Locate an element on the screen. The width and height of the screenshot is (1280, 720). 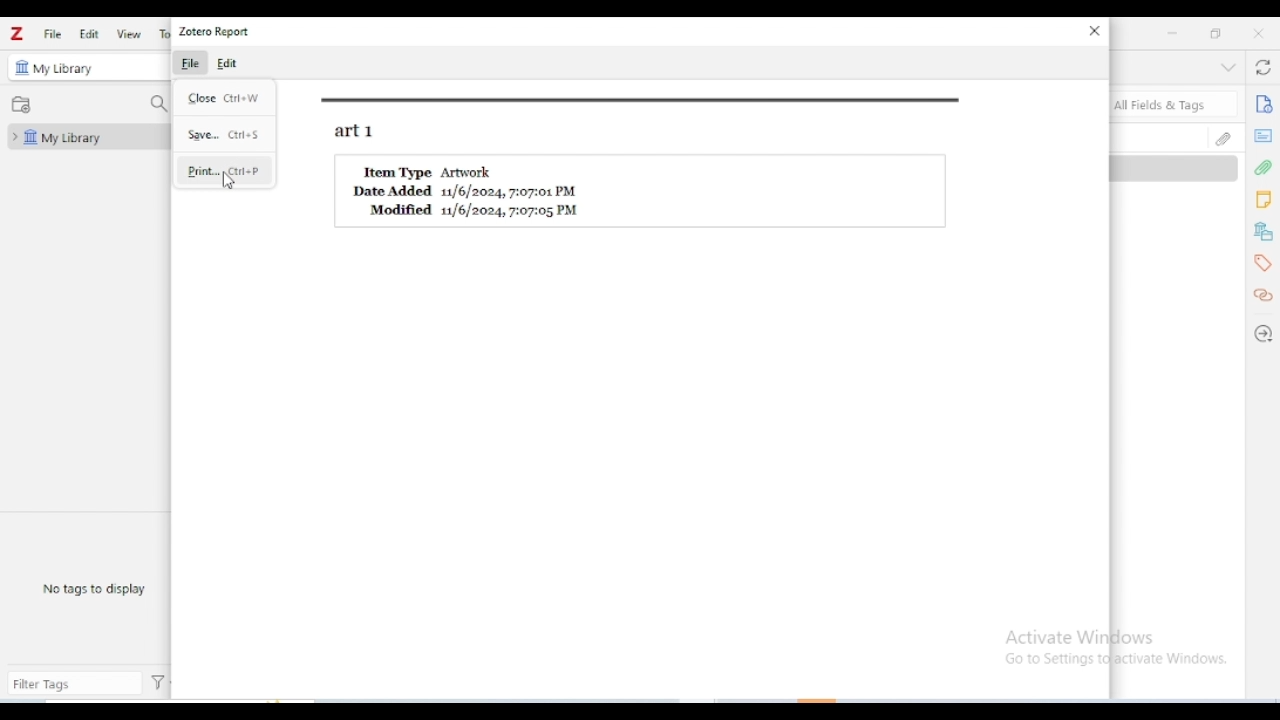
ctrl + S is located at coordinates (245, 134).